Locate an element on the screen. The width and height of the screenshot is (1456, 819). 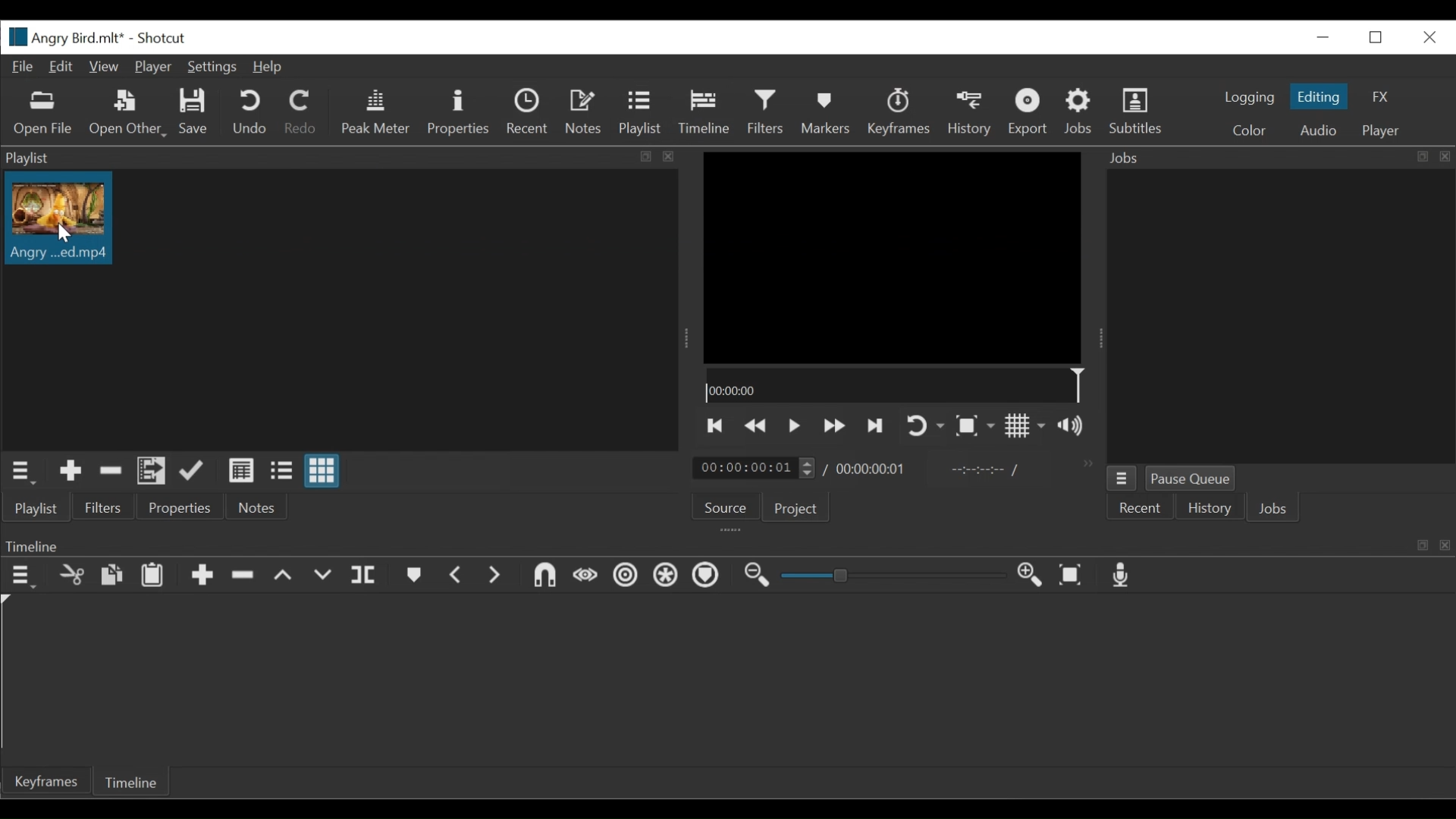
Paste is located at coordinates (152, 576).